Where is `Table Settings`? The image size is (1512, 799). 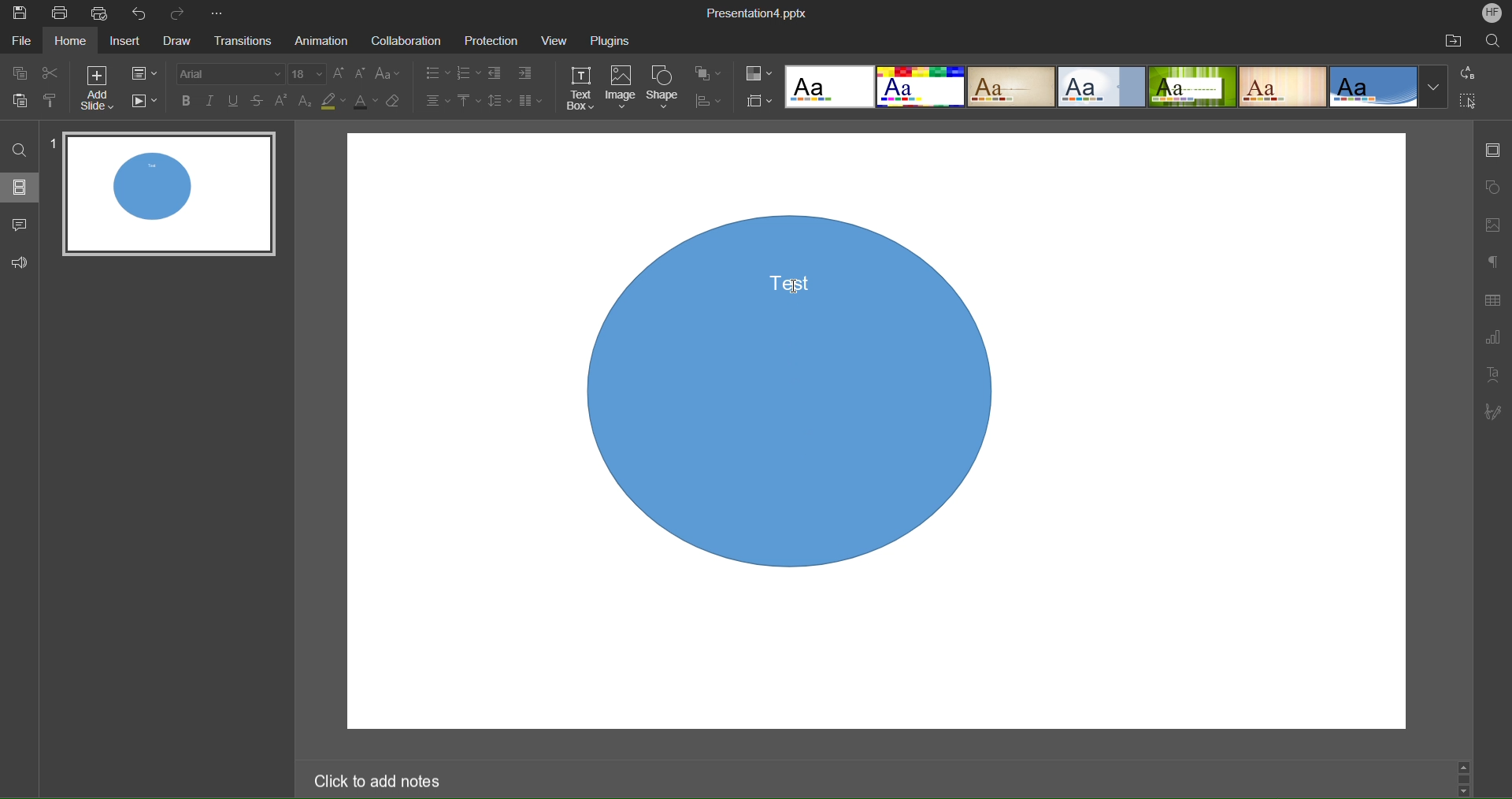
Table Settings is located at coordinates (1492, 301).